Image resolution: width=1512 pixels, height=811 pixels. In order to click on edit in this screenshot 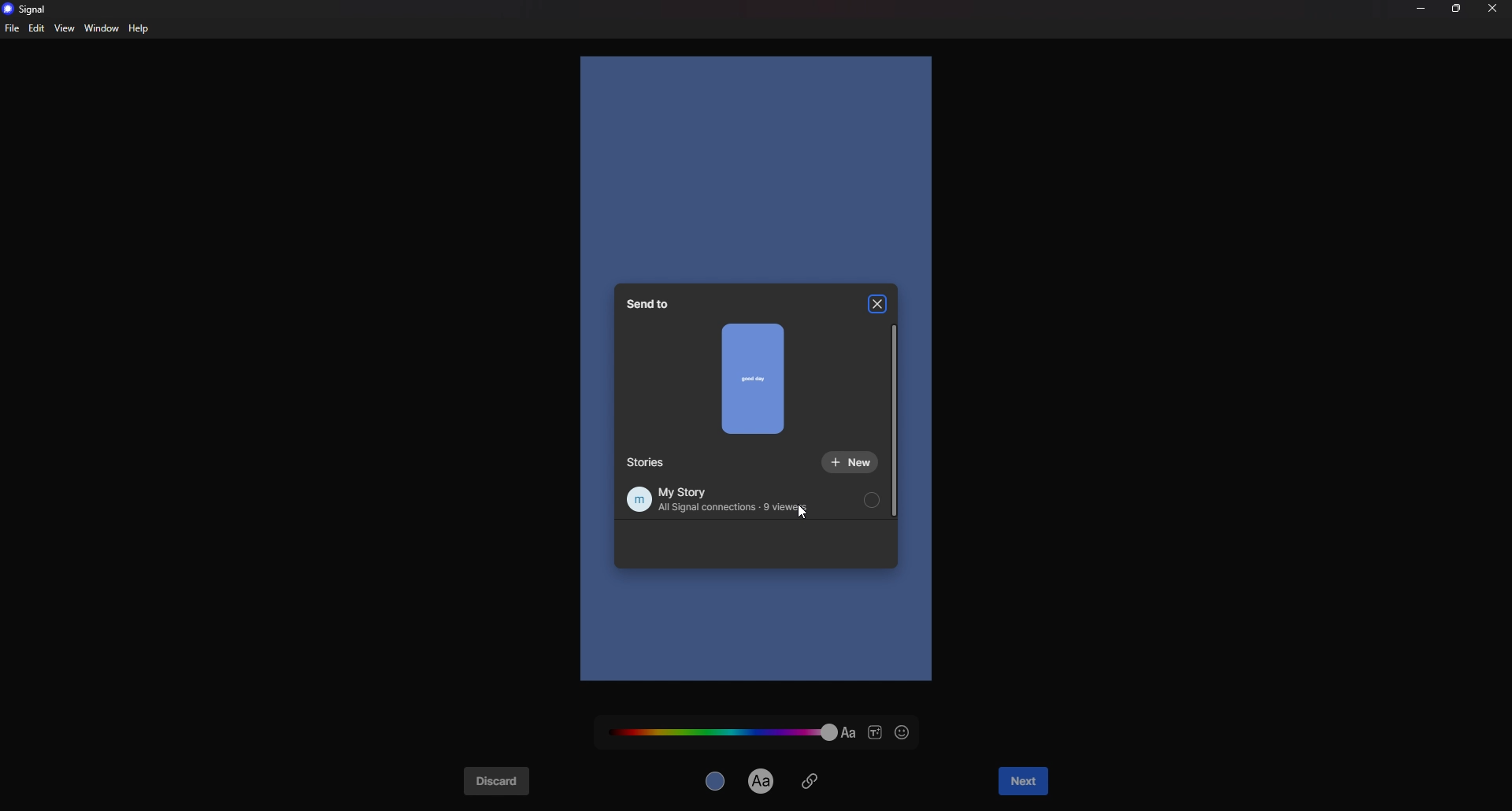, I will do `click(37, 28)`.